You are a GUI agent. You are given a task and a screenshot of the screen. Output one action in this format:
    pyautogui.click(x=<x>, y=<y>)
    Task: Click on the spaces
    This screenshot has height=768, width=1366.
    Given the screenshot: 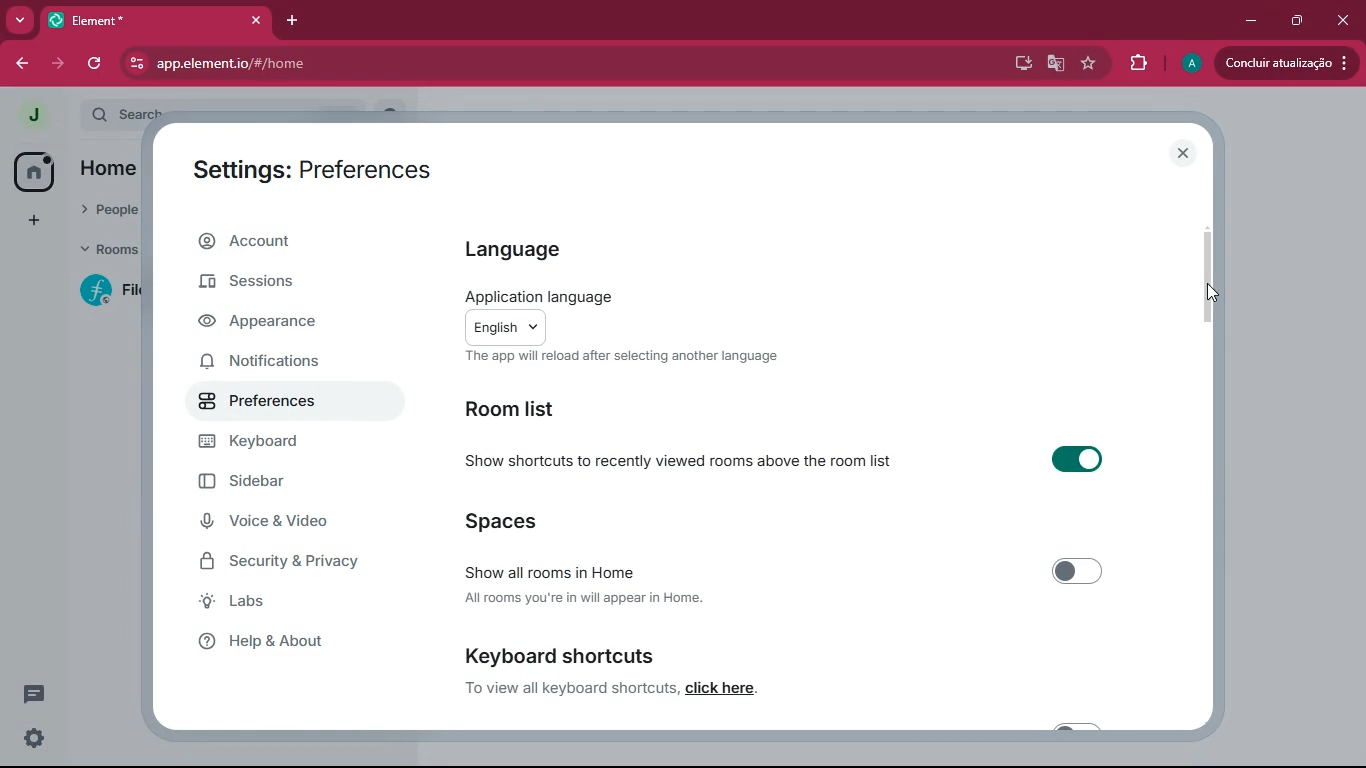 What is the action you would take?
    pyautogui.click(x=503, y=523)
    